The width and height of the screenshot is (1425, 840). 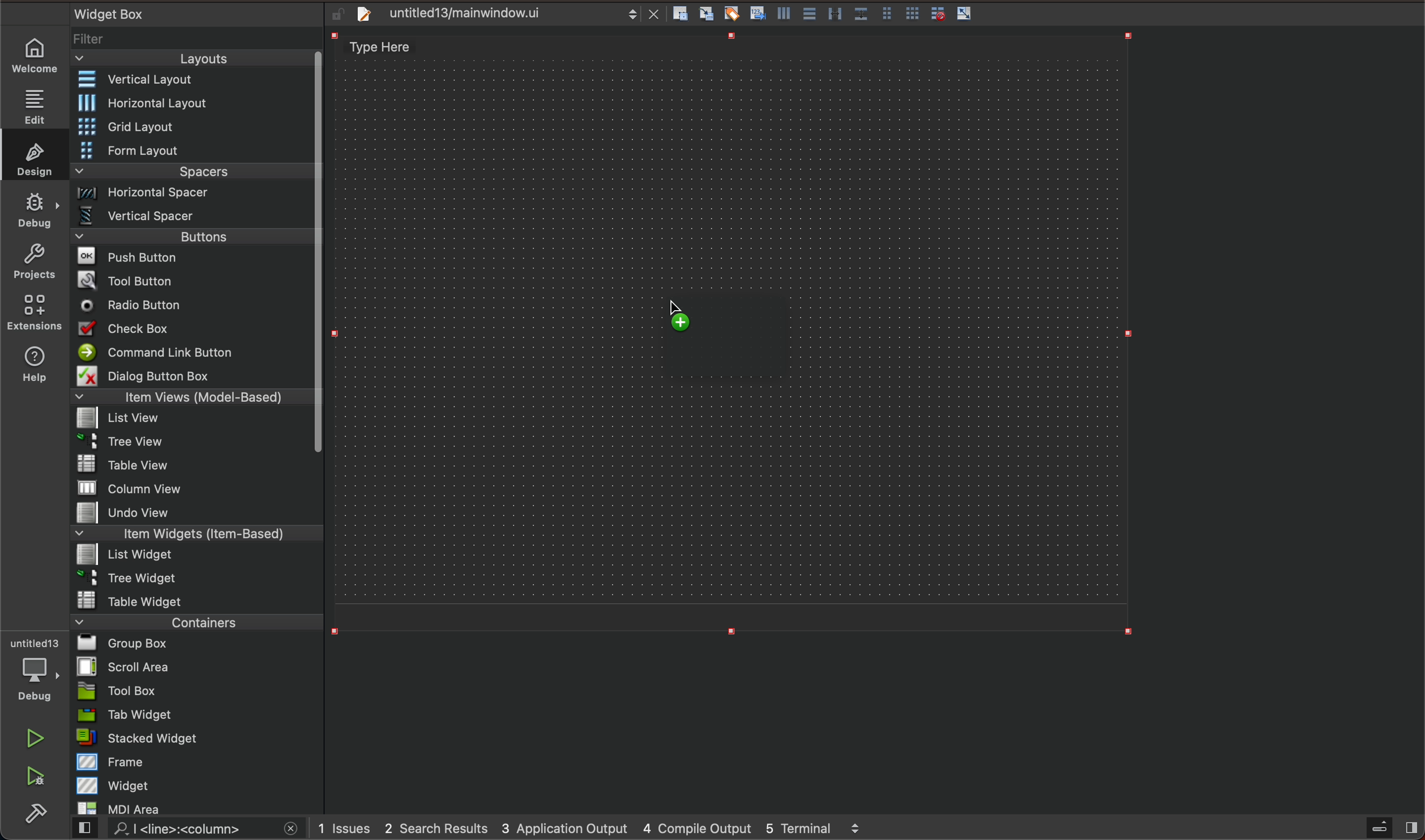 I want to click on radio button, so click(x=191, y=304).